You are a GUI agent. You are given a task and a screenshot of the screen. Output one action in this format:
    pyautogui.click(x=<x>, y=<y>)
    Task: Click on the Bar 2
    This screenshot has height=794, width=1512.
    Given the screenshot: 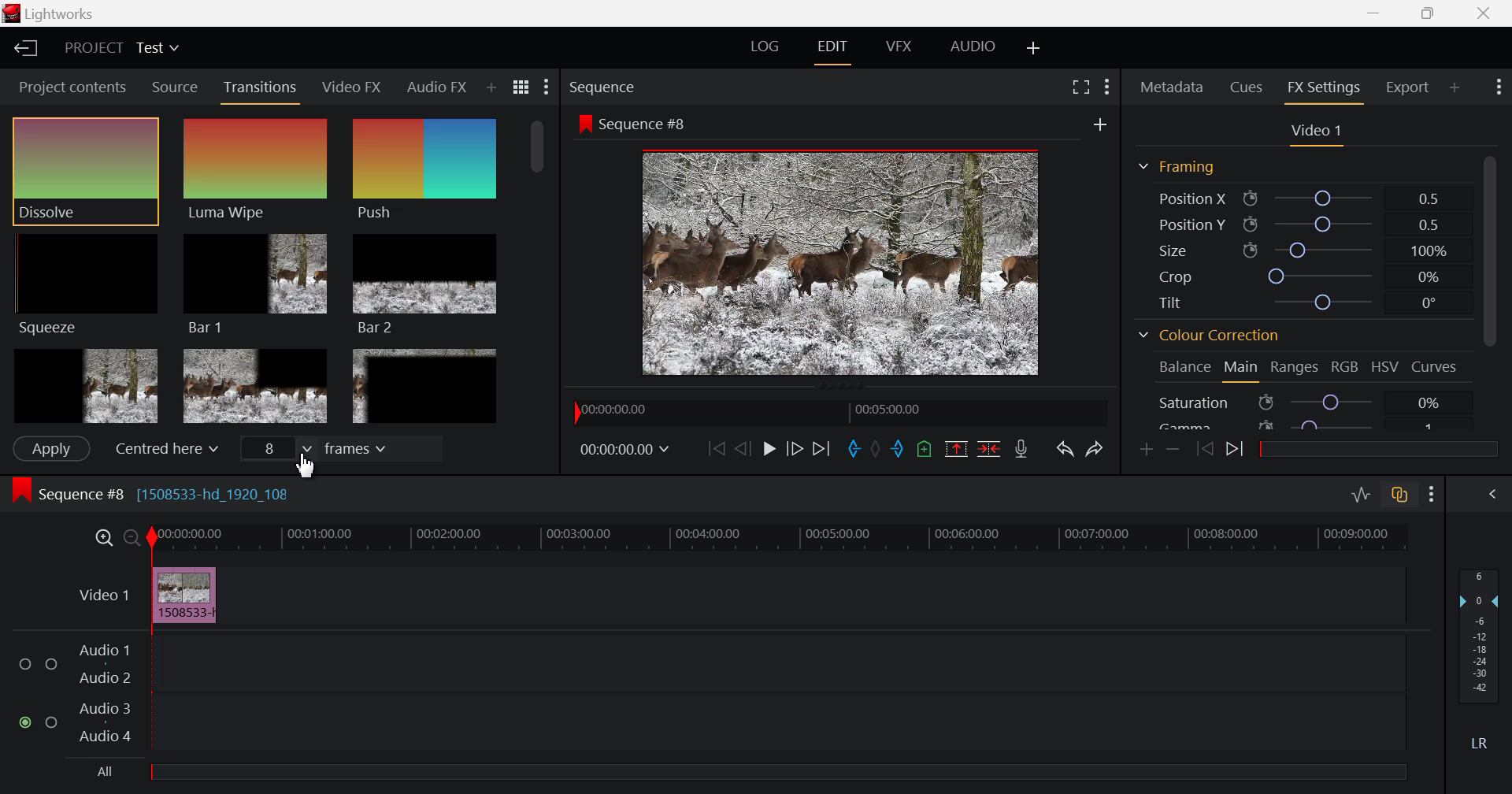 What is the action you would take?
    pyautogui.click(x=427, y=284)
    